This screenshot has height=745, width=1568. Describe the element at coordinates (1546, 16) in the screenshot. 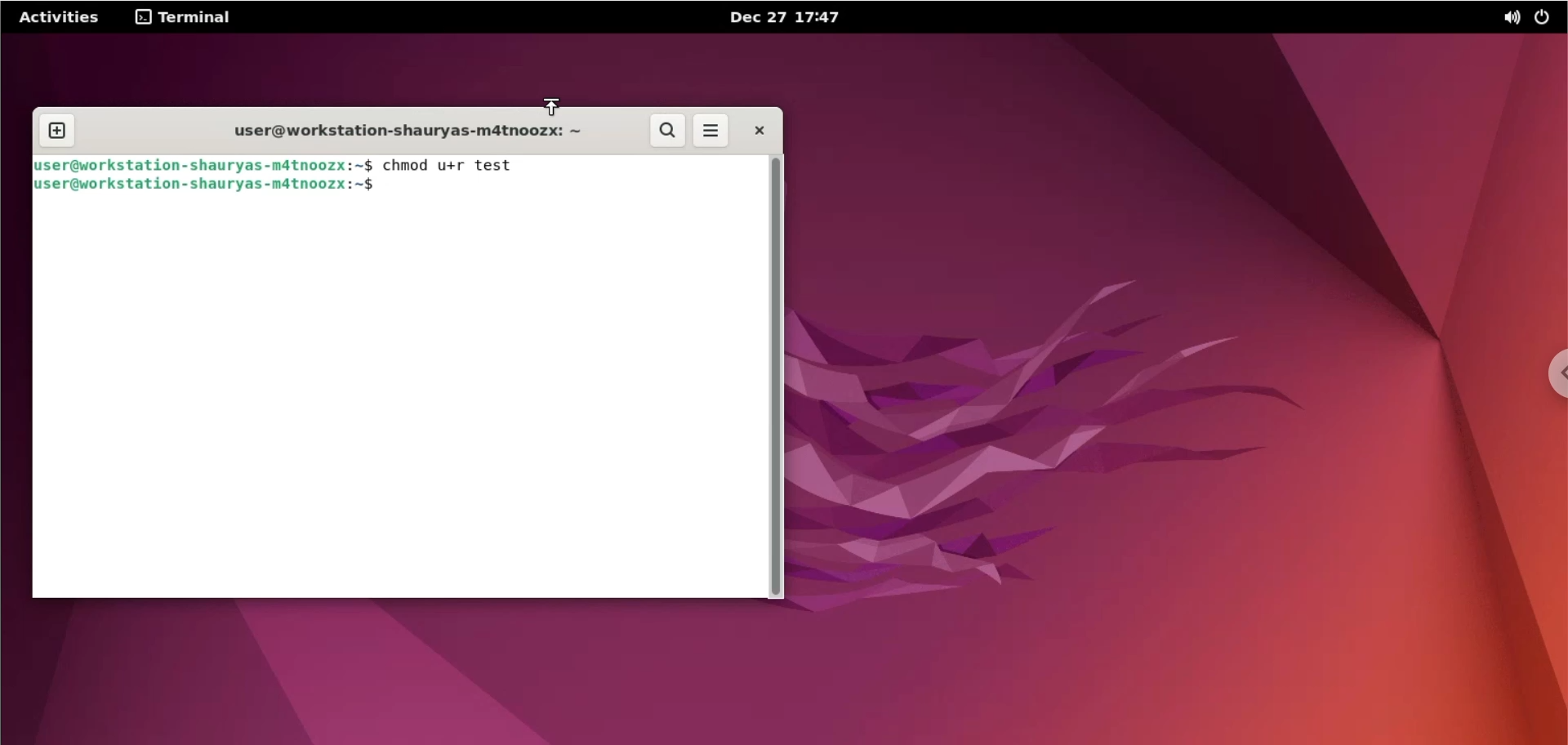

I see `power options` at that location.